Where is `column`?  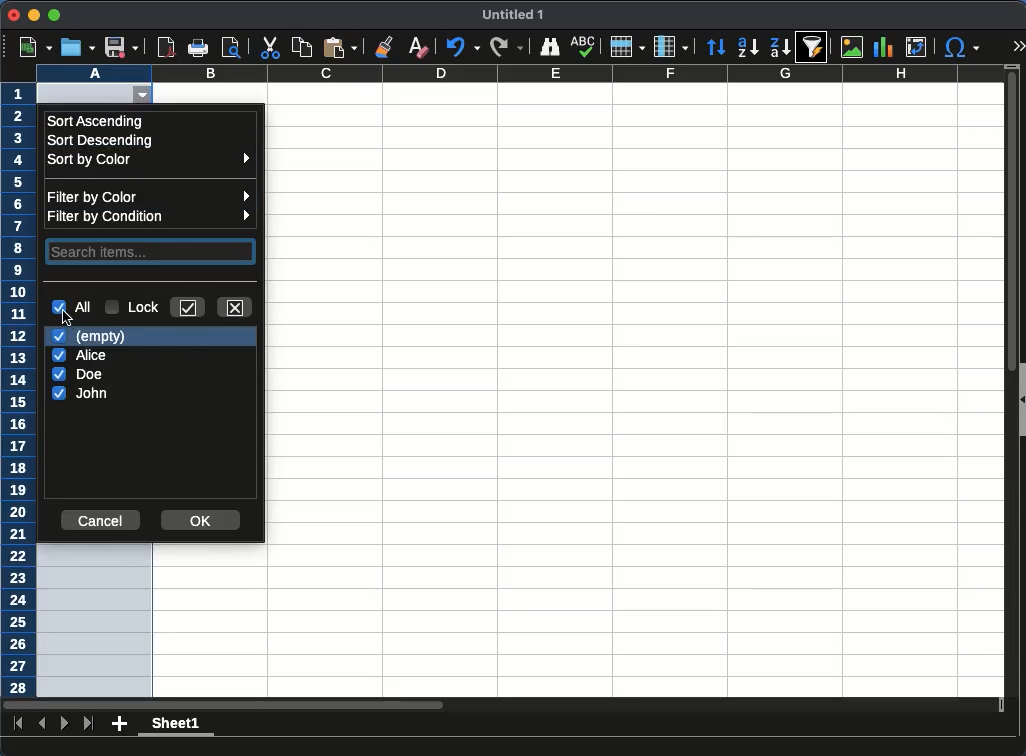 column is located at coordinates (671, 45).